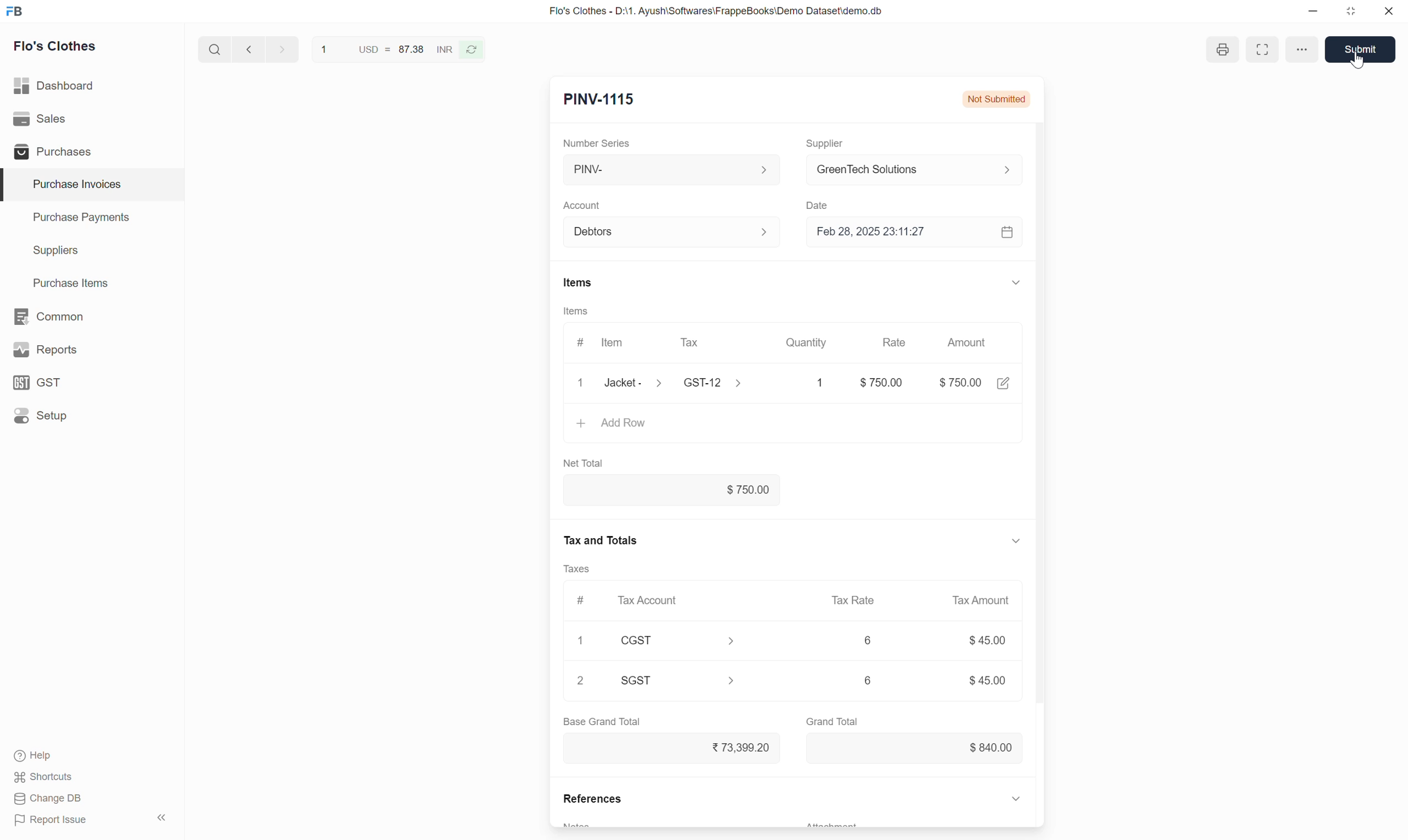 The height and width of the screenshot is (840, 1408). What do you see at coordinates (49, 799) in the screenshot?
I see `Change DB` at bounding box center [49, 799].